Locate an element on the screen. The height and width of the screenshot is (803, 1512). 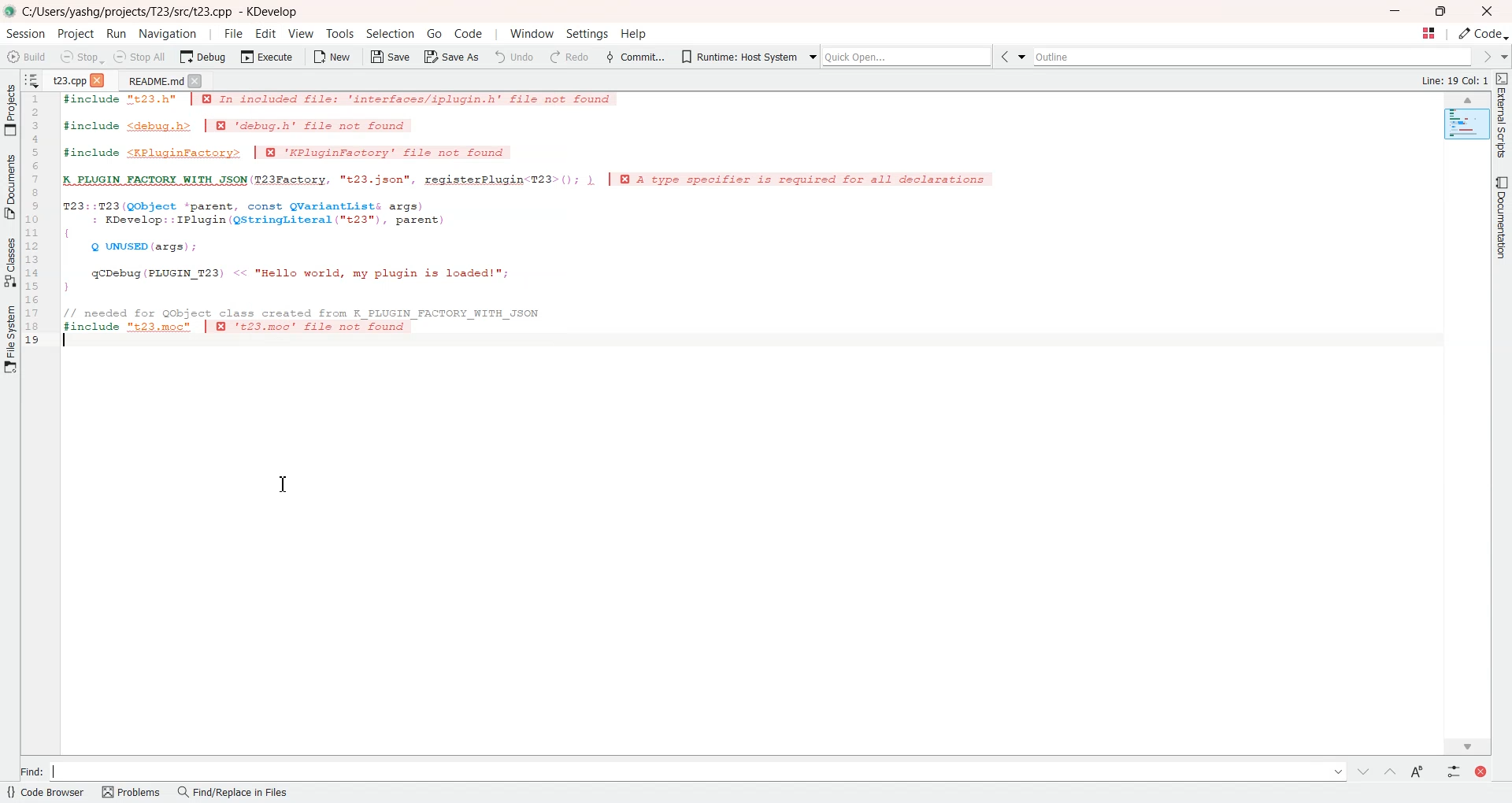
Classes is located at coordinates (10, 261).